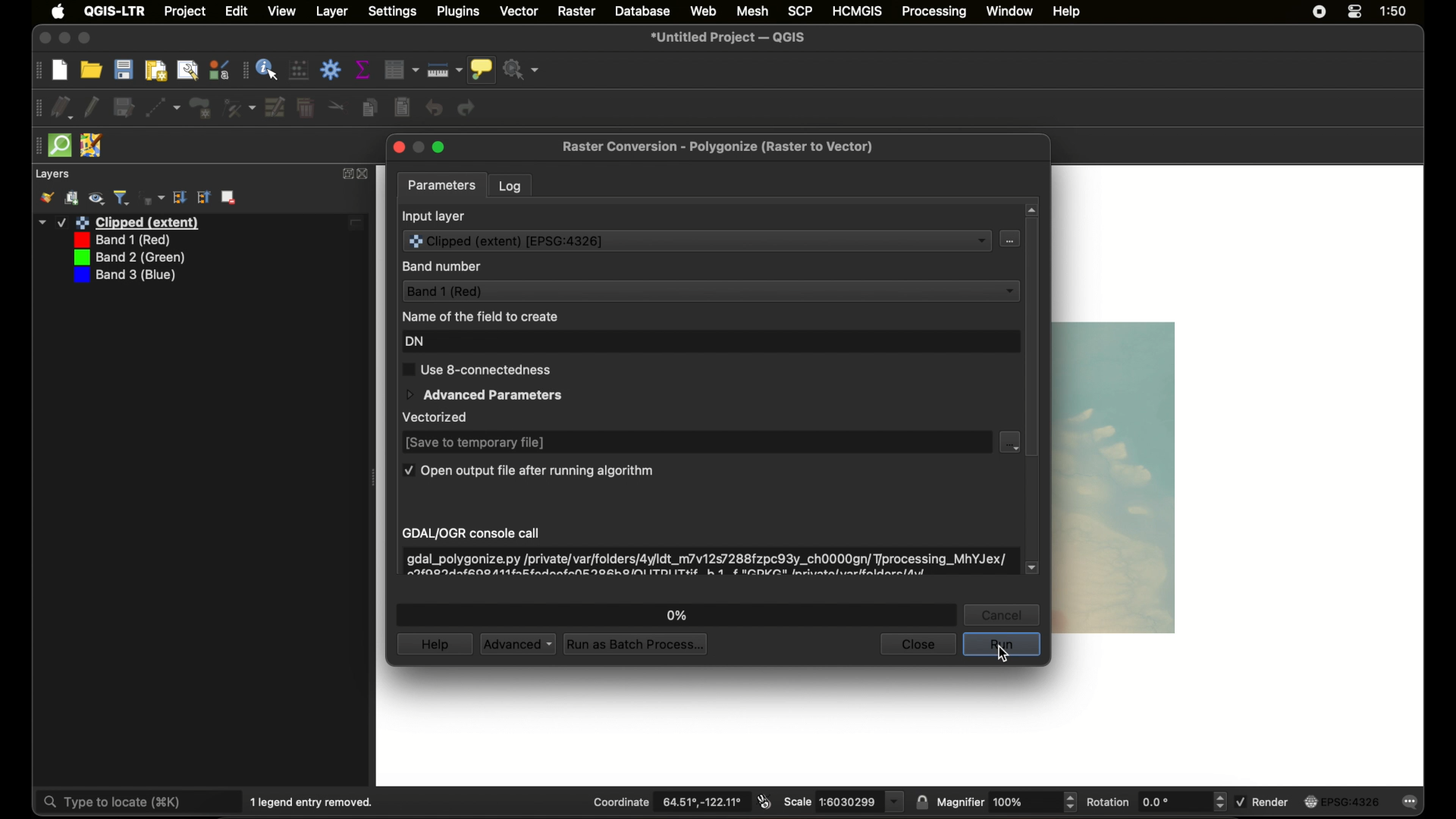 The height and width of the screenshot is (819, 1456). What do you see at coordinates (306, 108) in the screenshot?
I see `delete selected` at bounding box center [306, 108].